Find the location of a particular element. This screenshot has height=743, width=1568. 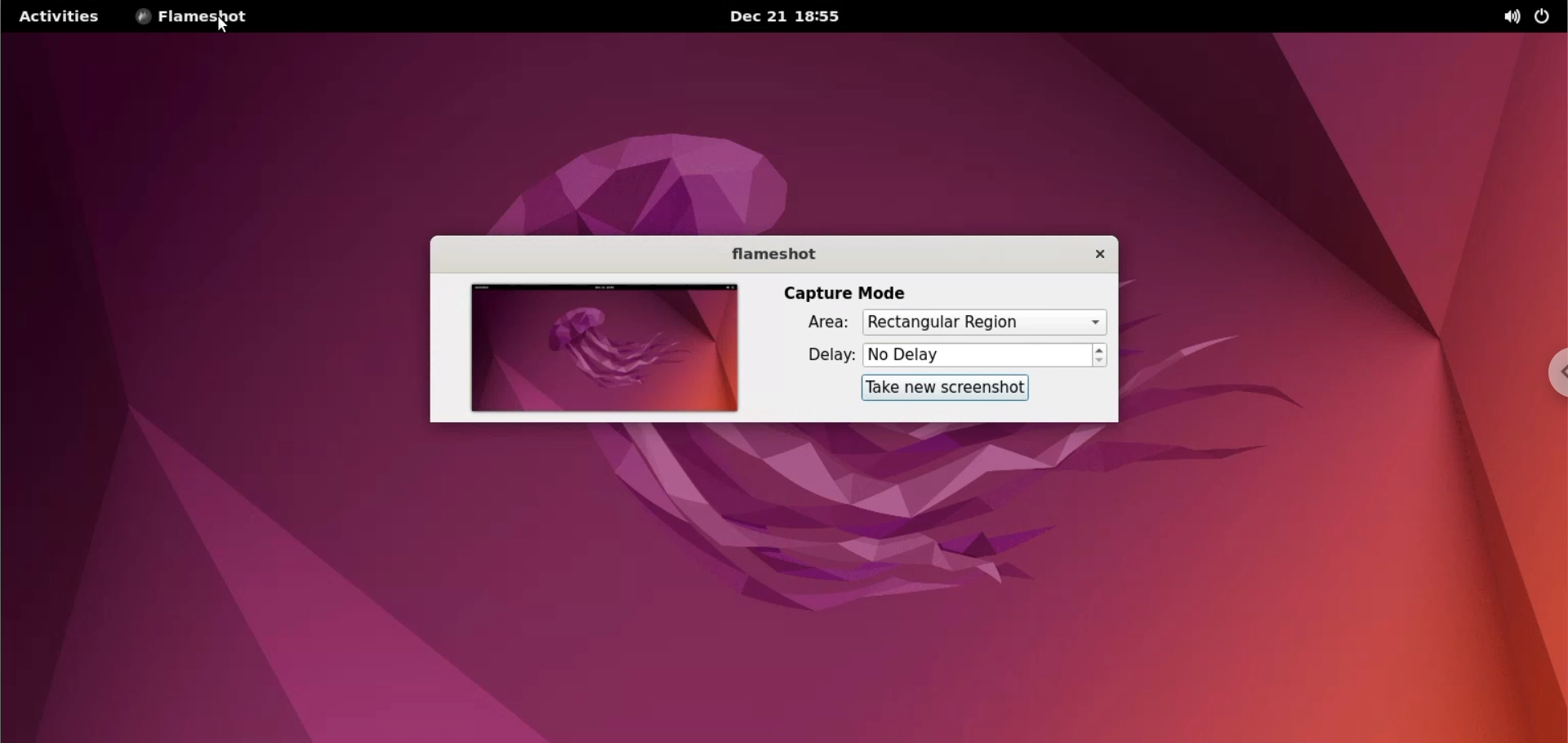

flameshot is located at coordinates (773, 258).